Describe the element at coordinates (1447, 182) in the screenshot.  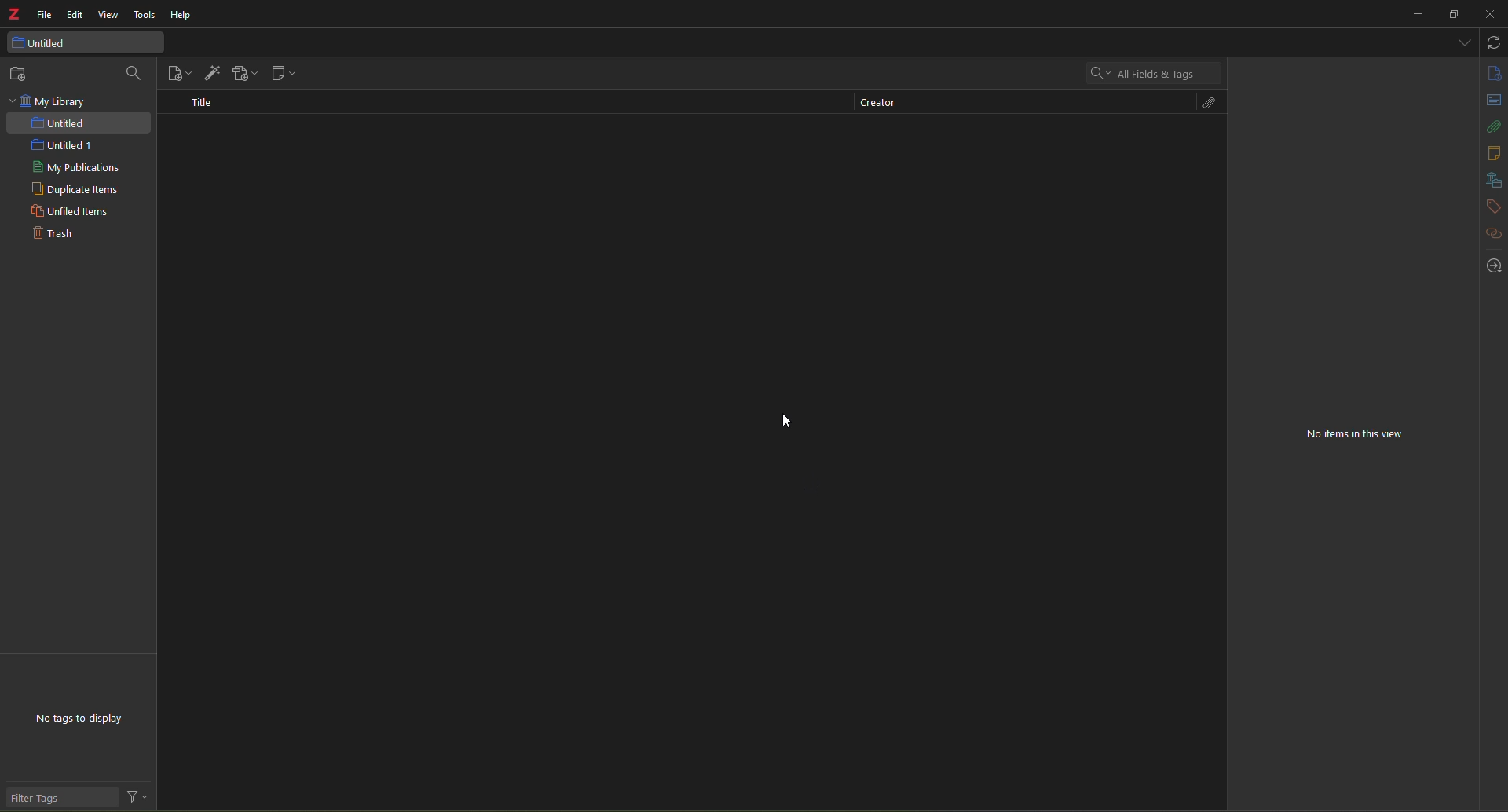
I see `add` at that location.